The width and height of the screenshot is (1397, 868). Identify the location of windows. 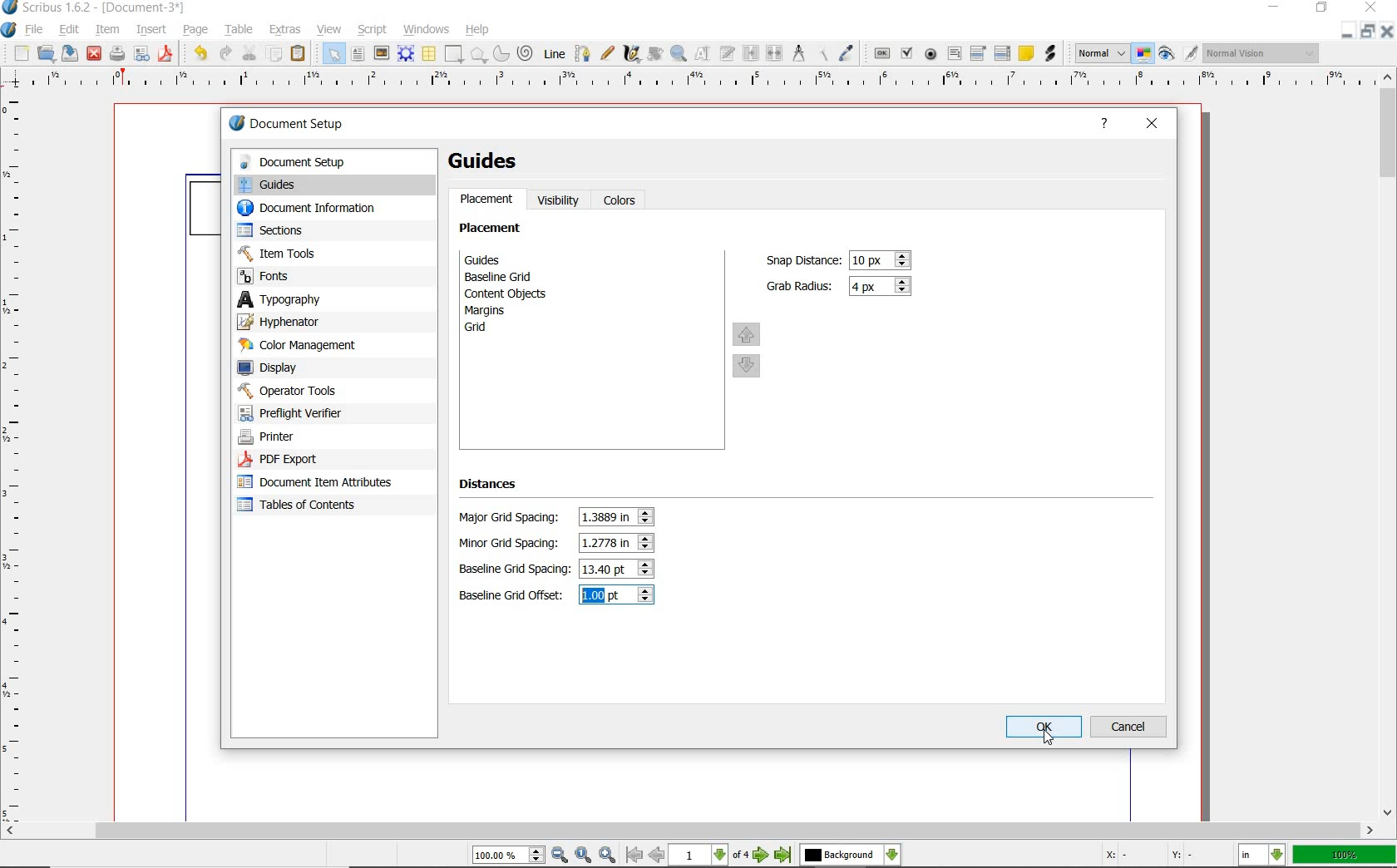
(427, 28).